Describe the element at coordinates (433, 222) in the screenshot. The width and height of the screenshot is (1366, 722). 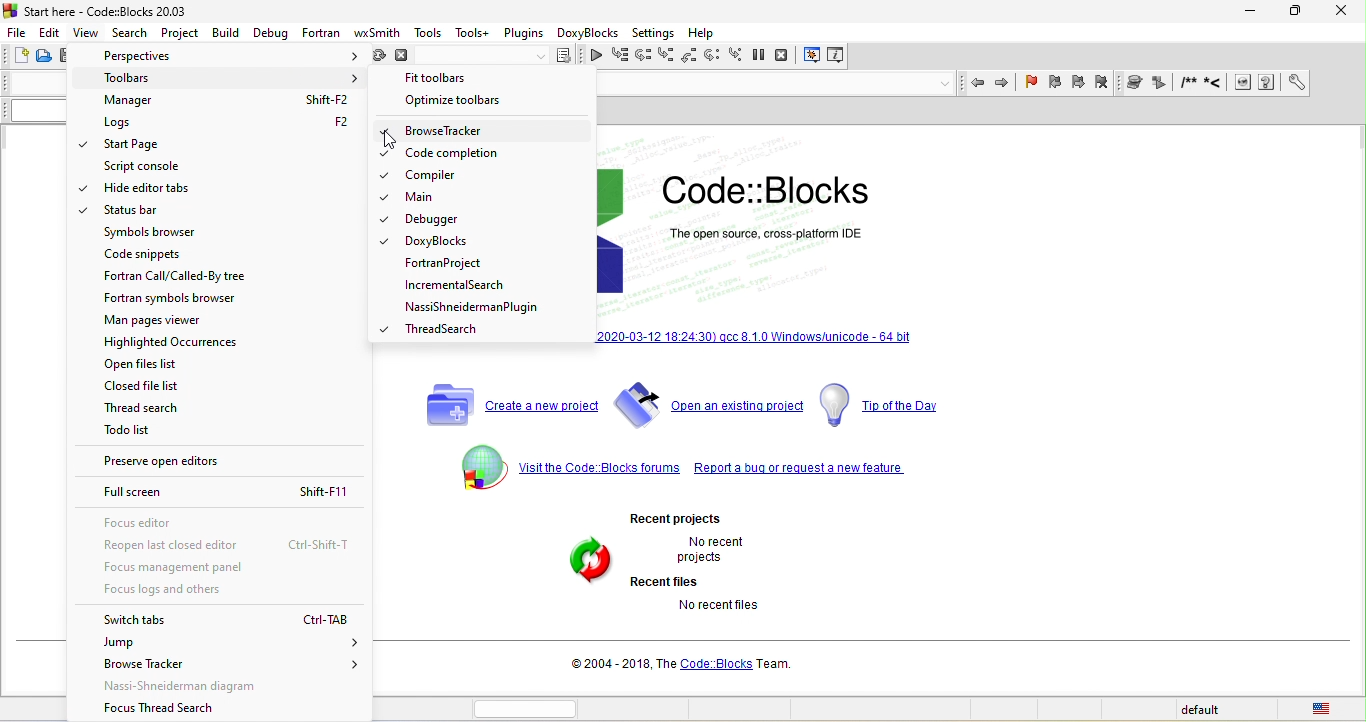
I see `debugger` at that location.